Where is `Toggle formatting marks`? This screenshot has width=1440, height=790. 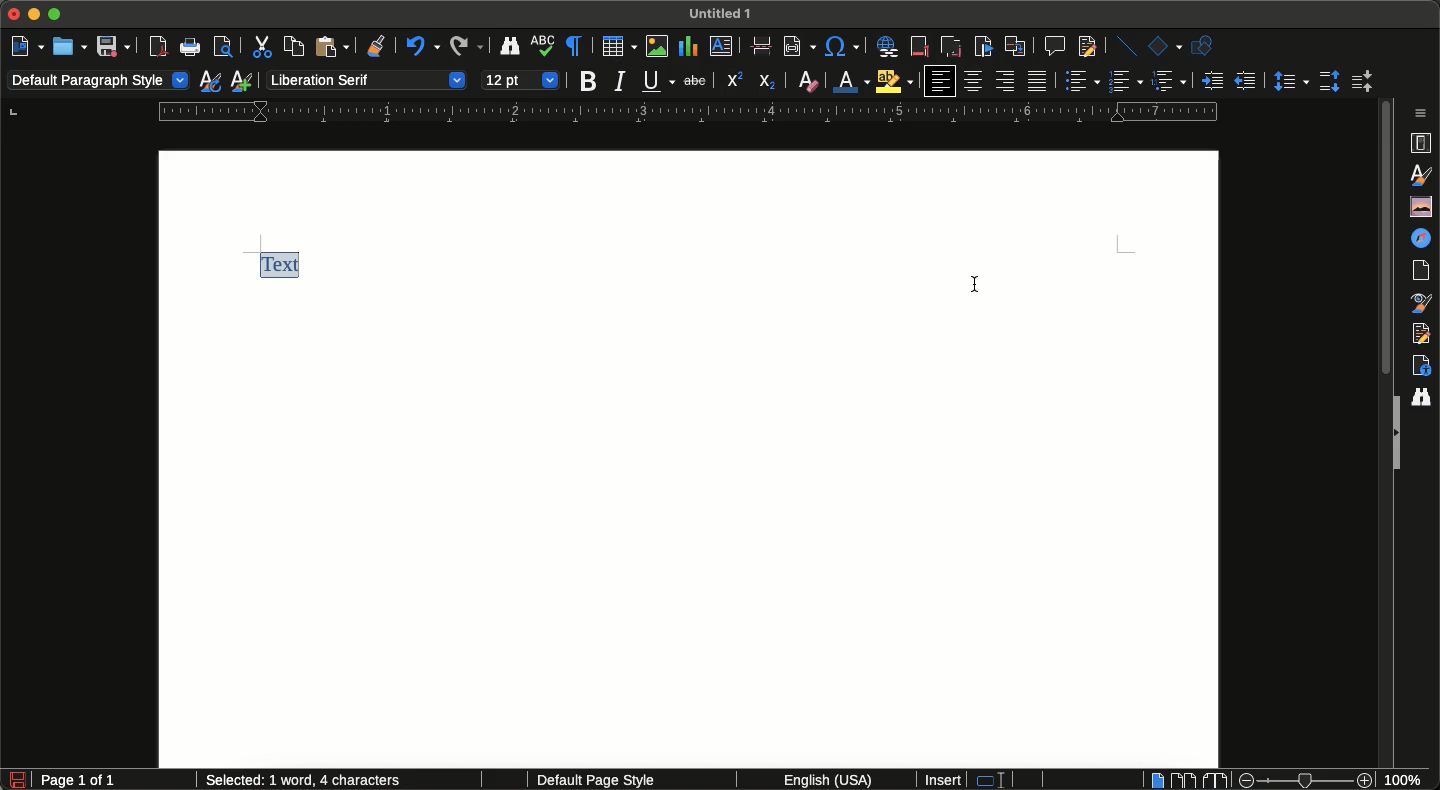
Toggle formatting marks is located at coordinates (576, 46).